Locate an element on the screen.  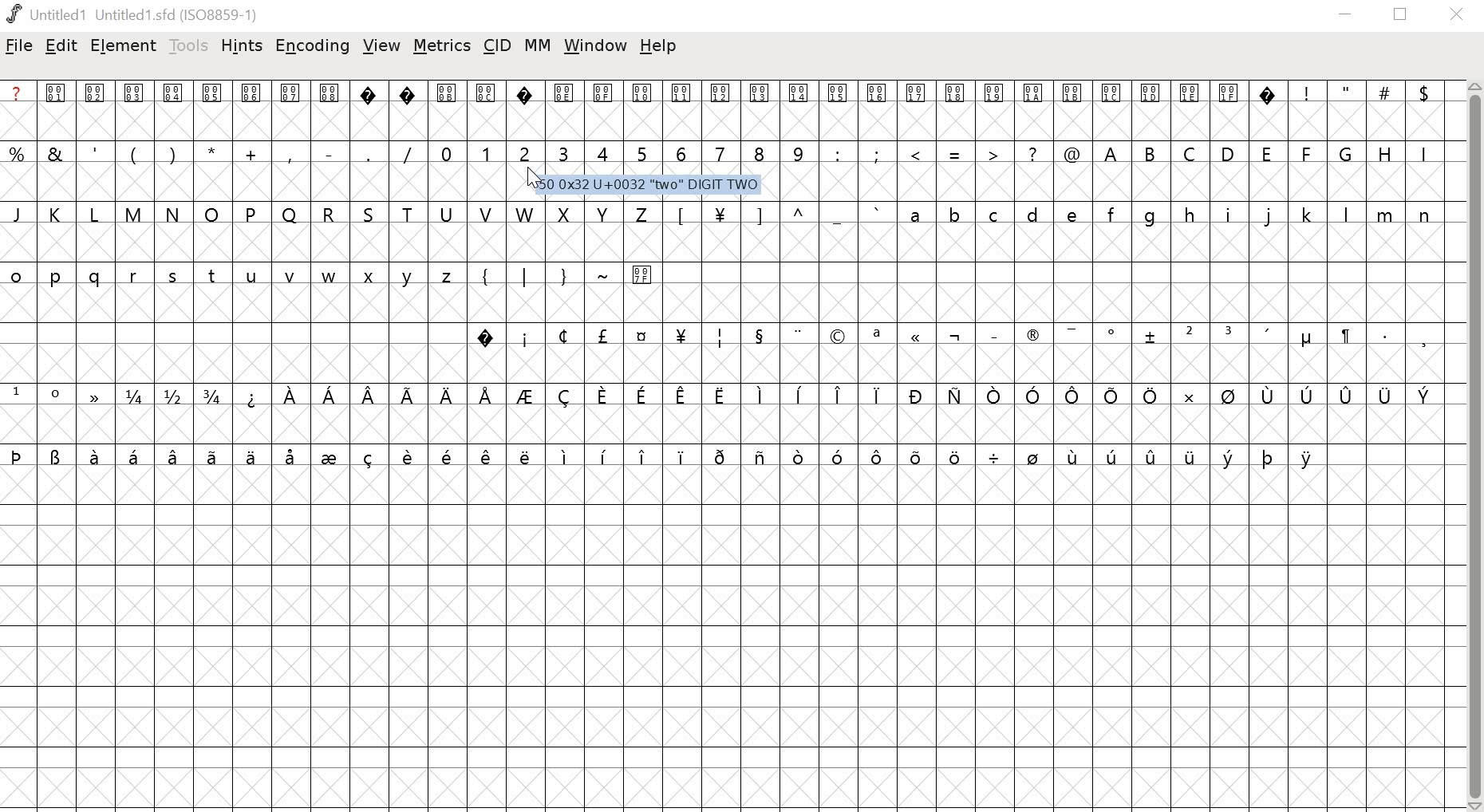
view is located at coordinates (384, 44).